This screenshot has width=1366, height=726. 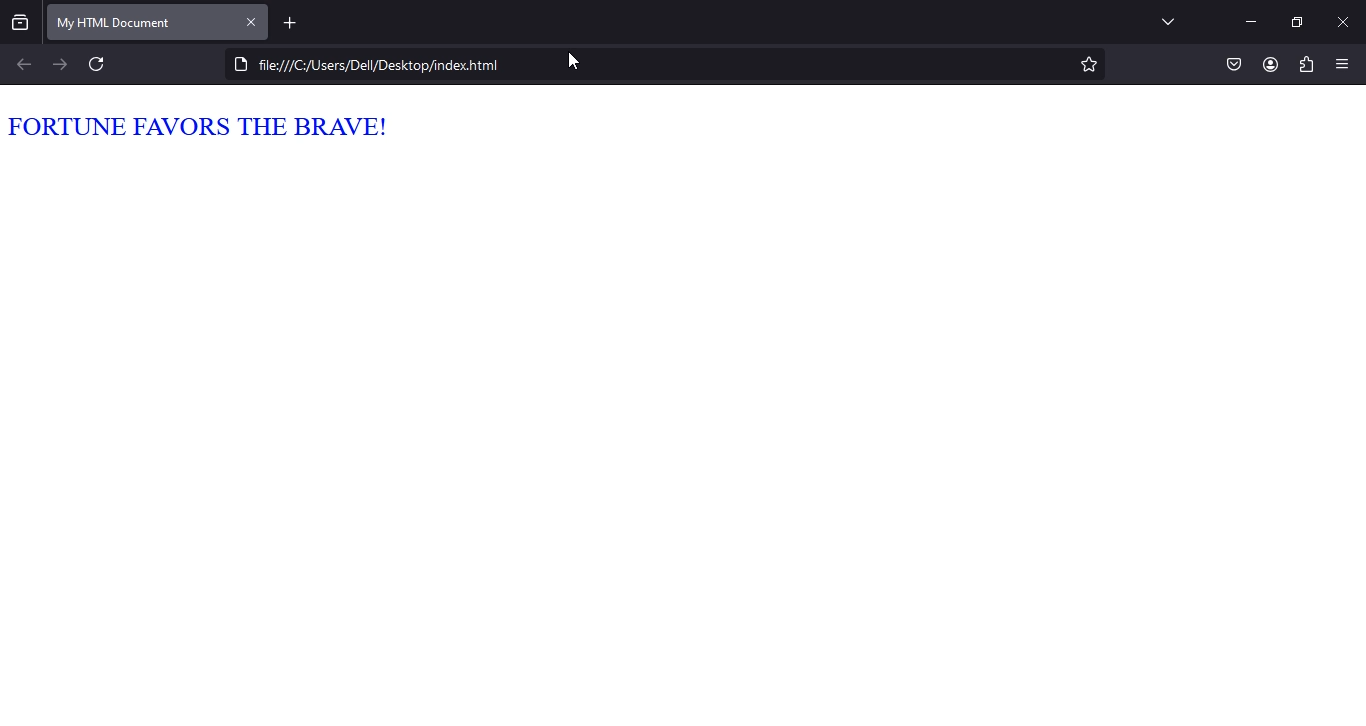 What do you see at coordinates (59, 63) in the screenshot?
I see `forward` at bounding box center [59, 63].